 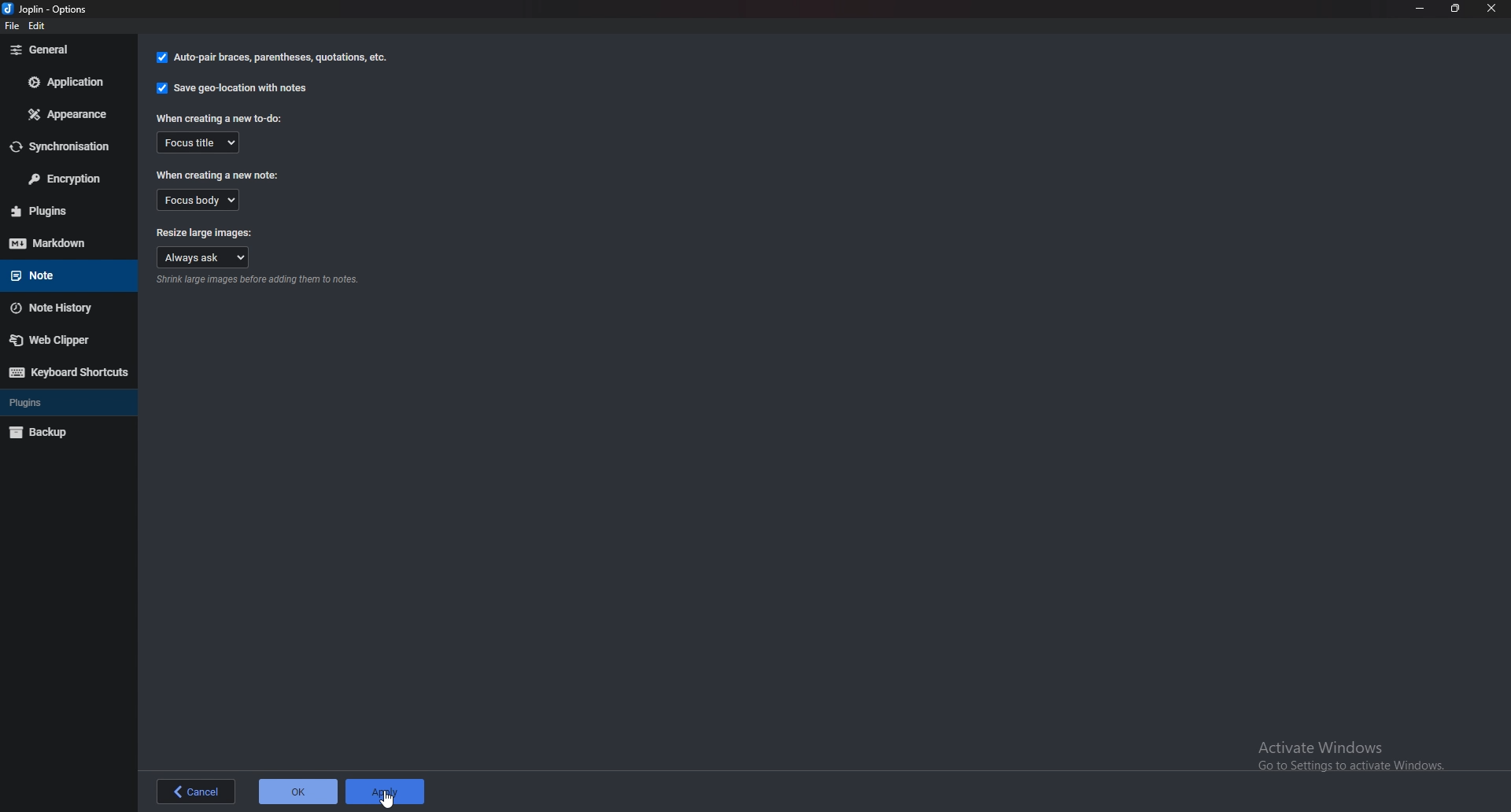 I want to click on Activate windows pop up, so click(x=1359, y=756).